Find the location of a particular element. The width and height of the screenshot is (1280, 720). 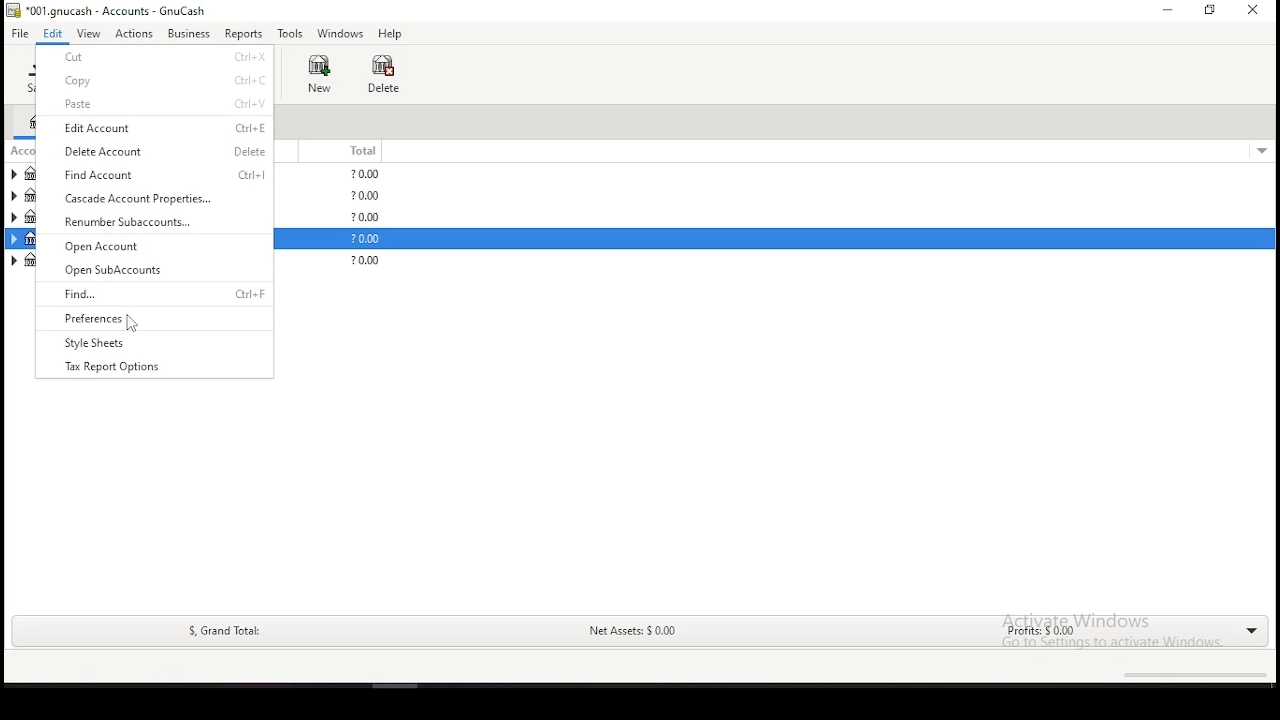

help is located at coordinates (390, 35).